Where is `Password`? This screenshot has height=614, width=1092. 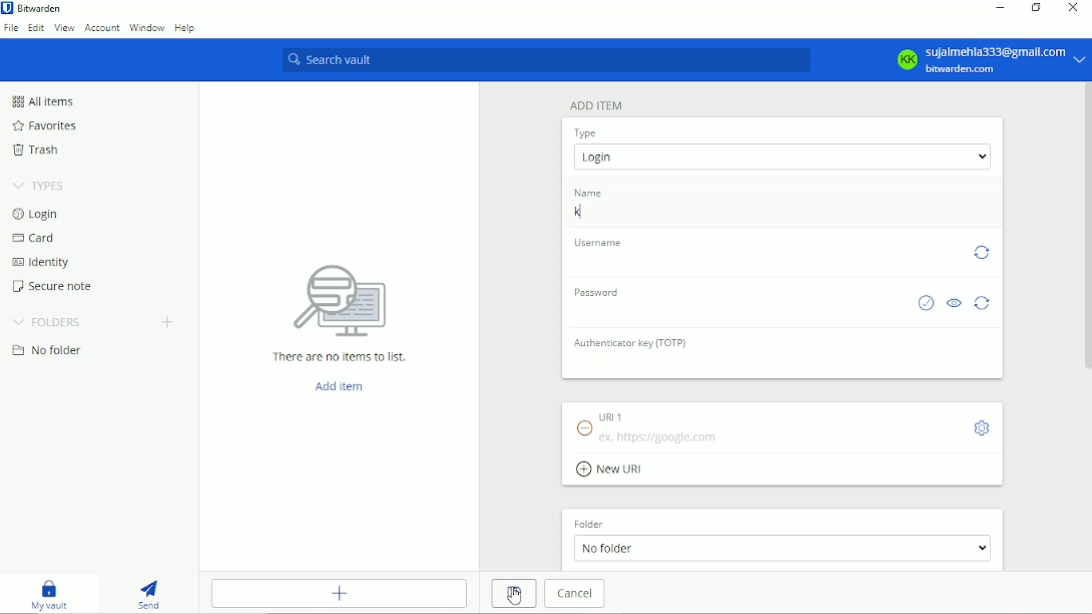
Password is located at coordinates (596, 292).